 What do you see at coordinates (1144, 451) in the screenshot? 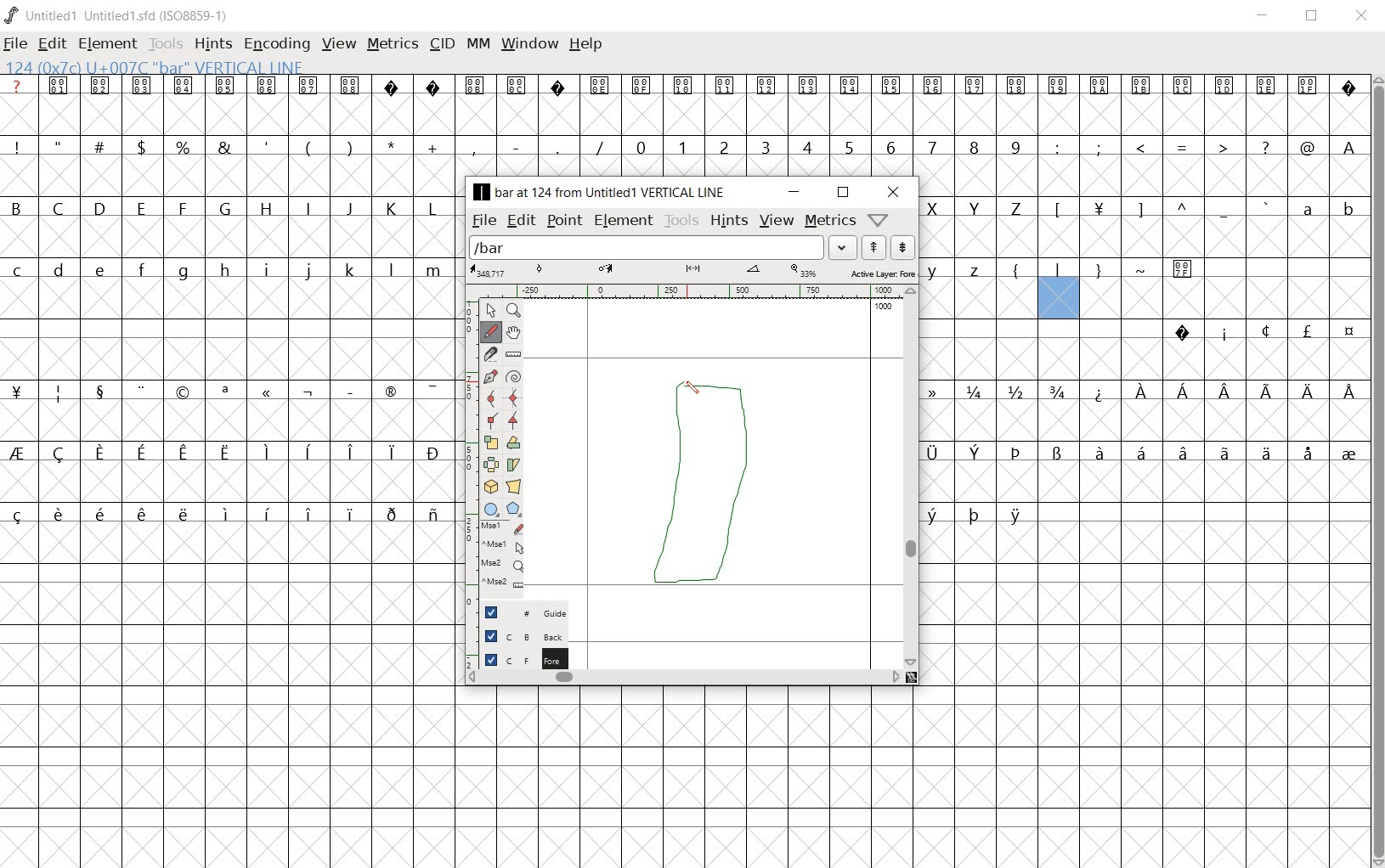
I see `special letters` at bounding box center [1144, 451].